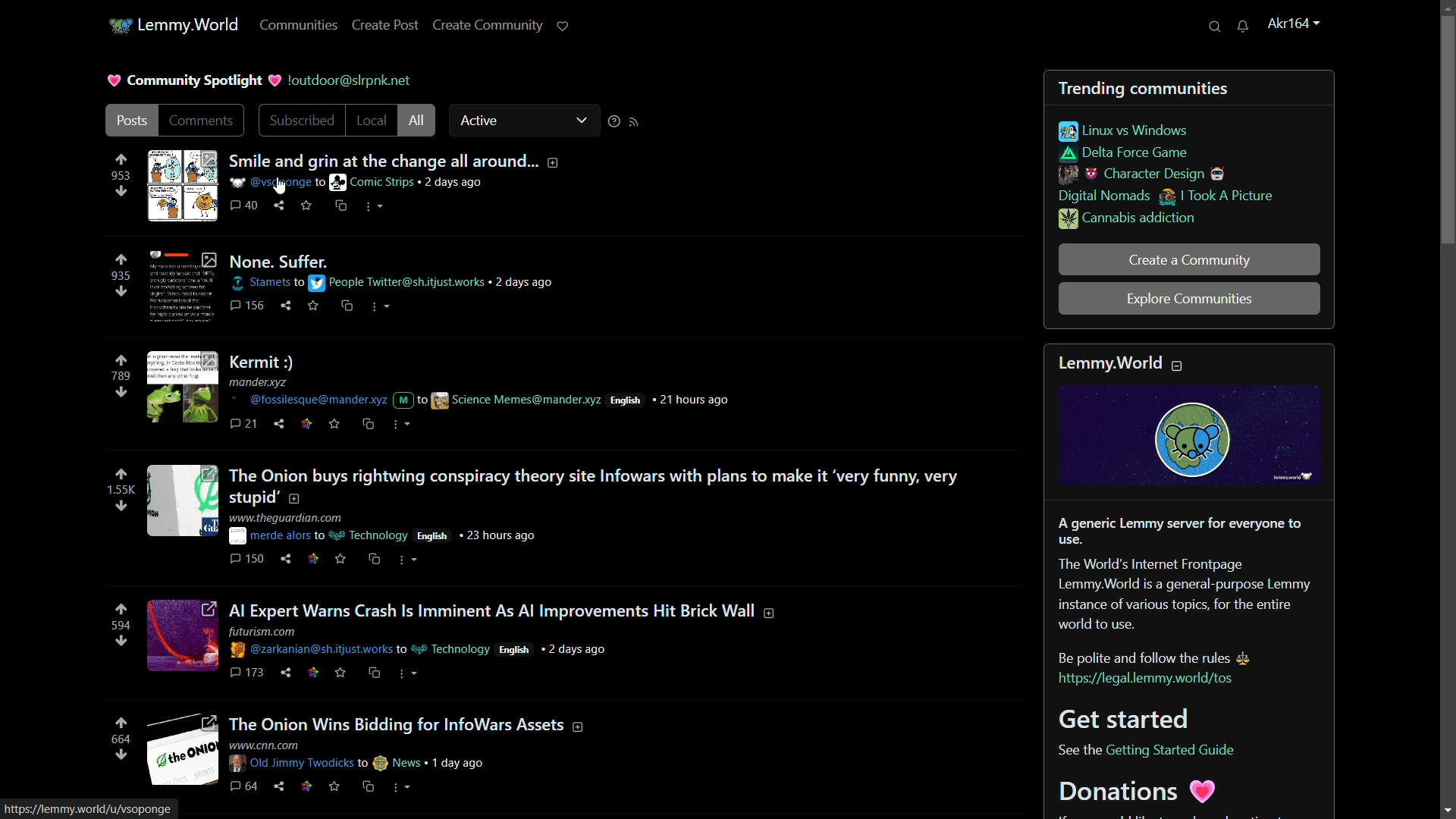 The height and width of the screenshot is (819, 1456). Describe the element at coordinates (488, 27) in the screenshot. I see `create community` at that location.